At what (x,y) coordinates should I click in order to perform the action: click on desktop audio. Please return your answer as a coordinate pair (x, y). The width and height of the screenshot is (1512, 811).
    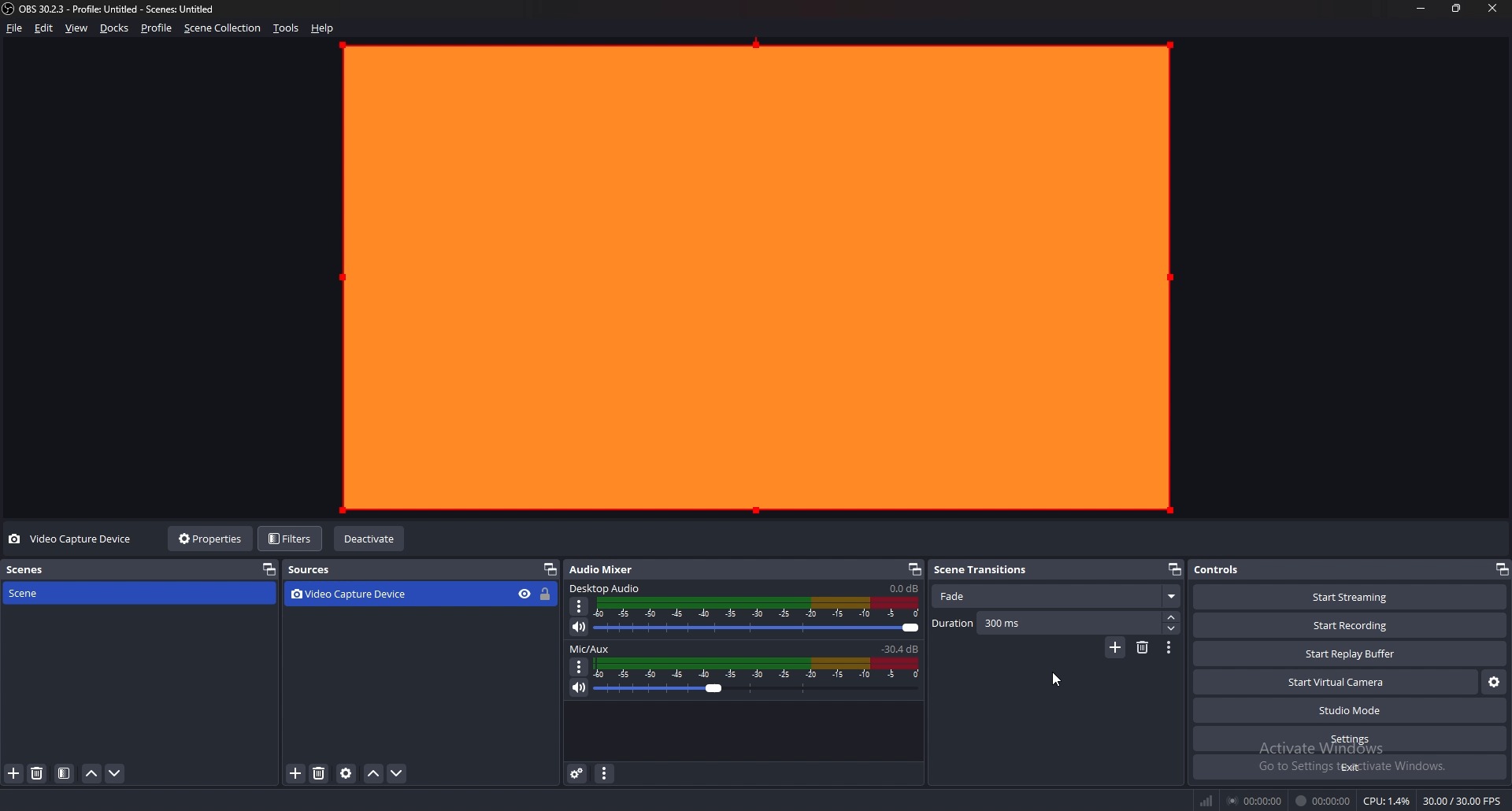
    Looking at the image, I should click on (606, 588).